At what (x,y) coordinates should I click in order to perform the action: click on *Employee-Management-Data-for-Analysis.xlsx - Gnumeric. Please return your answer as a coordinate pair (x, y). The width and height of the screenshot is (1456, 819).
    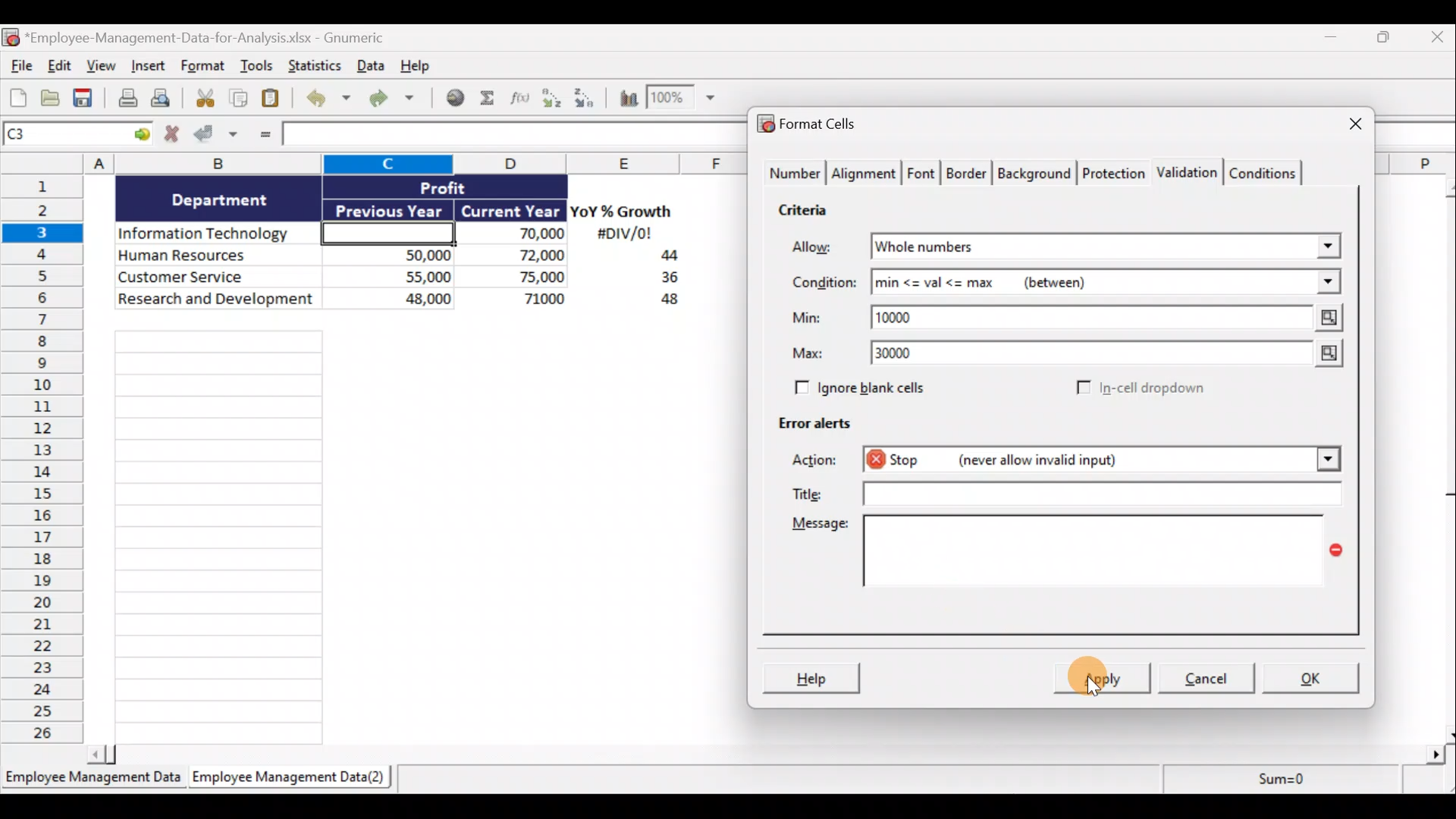
    Looking at the image, I should click on (222, 36).